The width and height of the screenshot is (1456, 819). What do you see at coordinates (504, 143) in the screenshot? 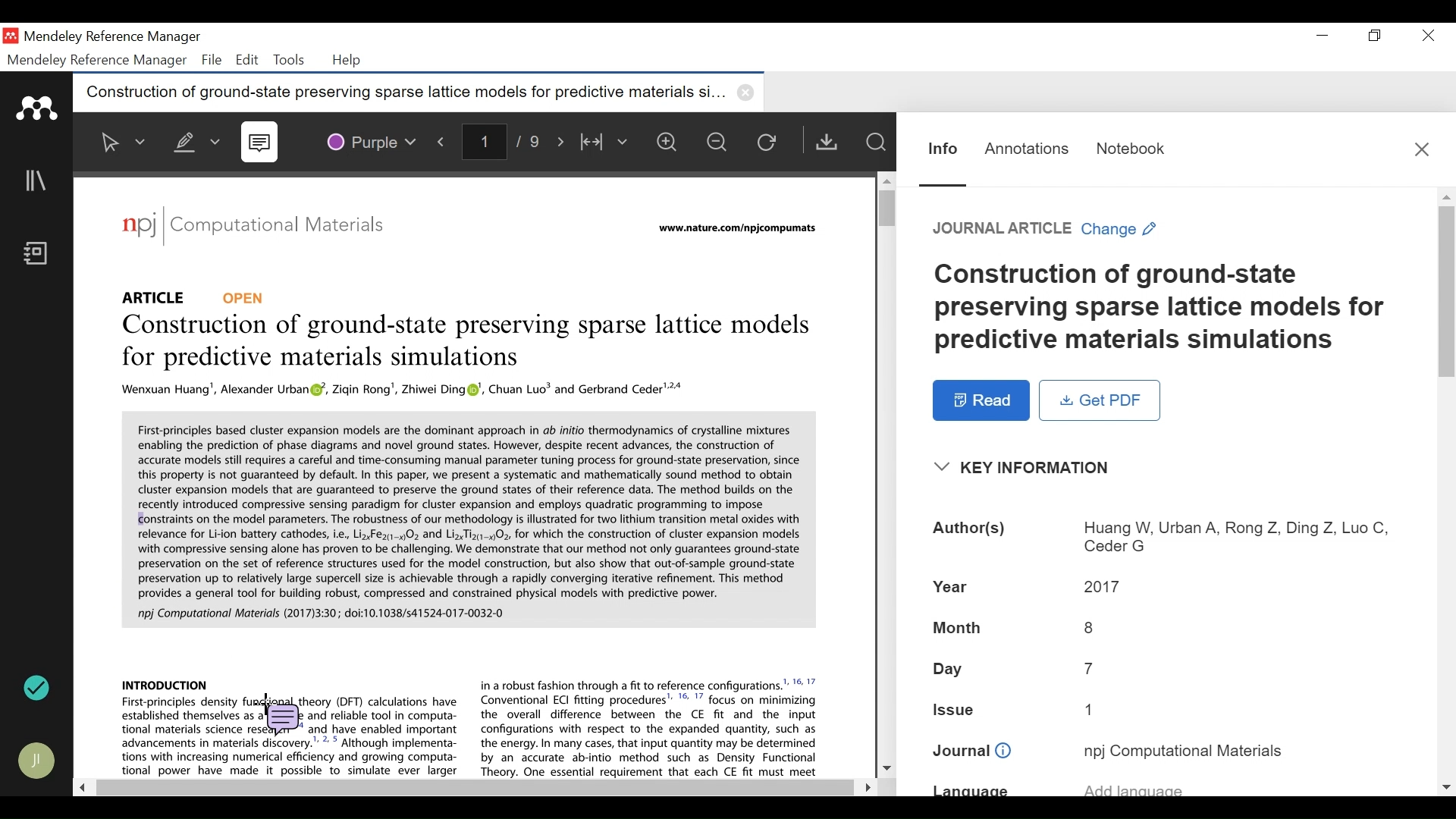
I see `Page Number/Total Number of Pae` at bounding box center [504, 143].